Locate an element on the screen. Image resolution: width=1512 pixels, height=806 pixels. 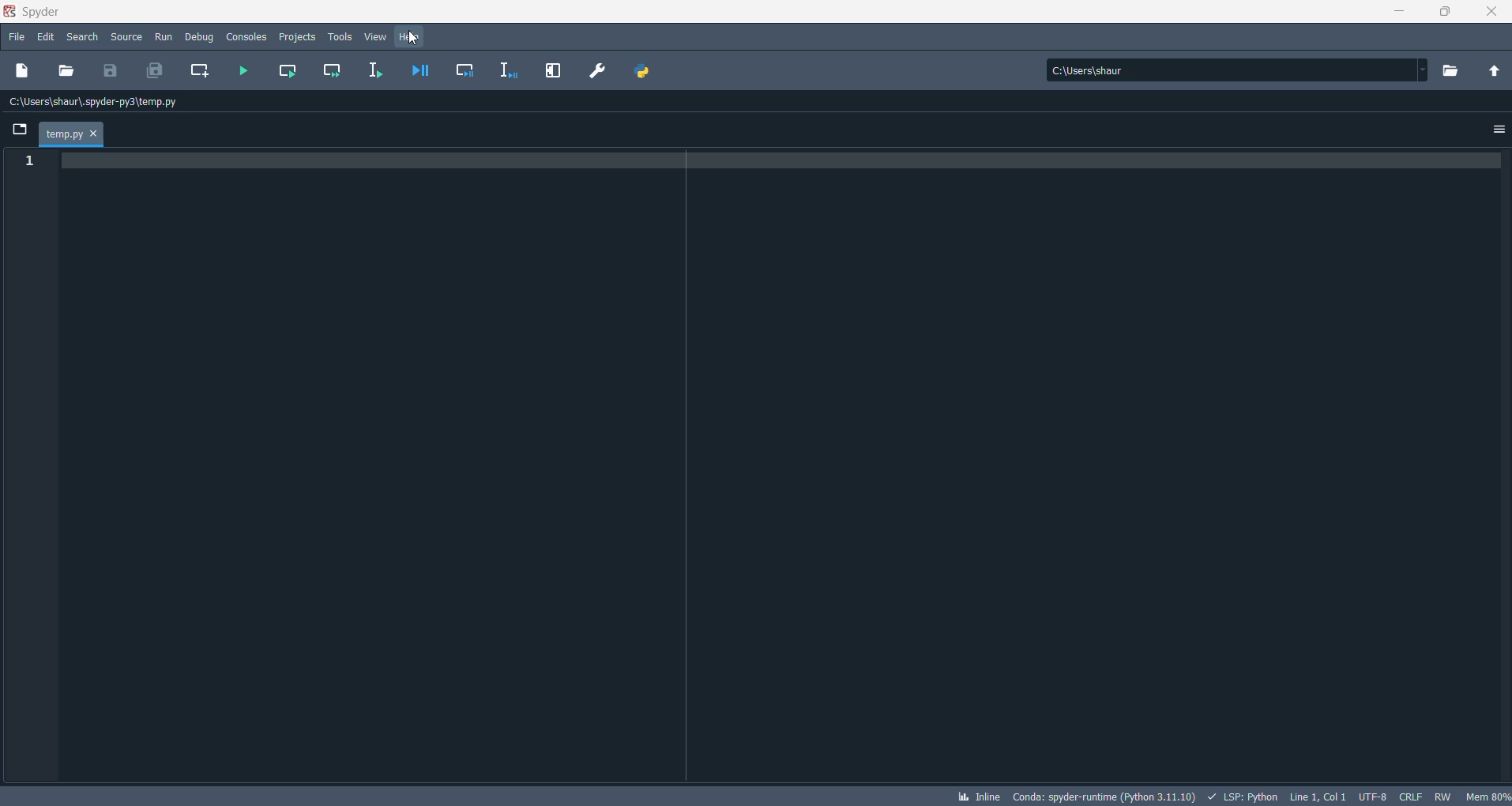
PYTHON PATH MANAGER  is located at coordinates (644, 71).